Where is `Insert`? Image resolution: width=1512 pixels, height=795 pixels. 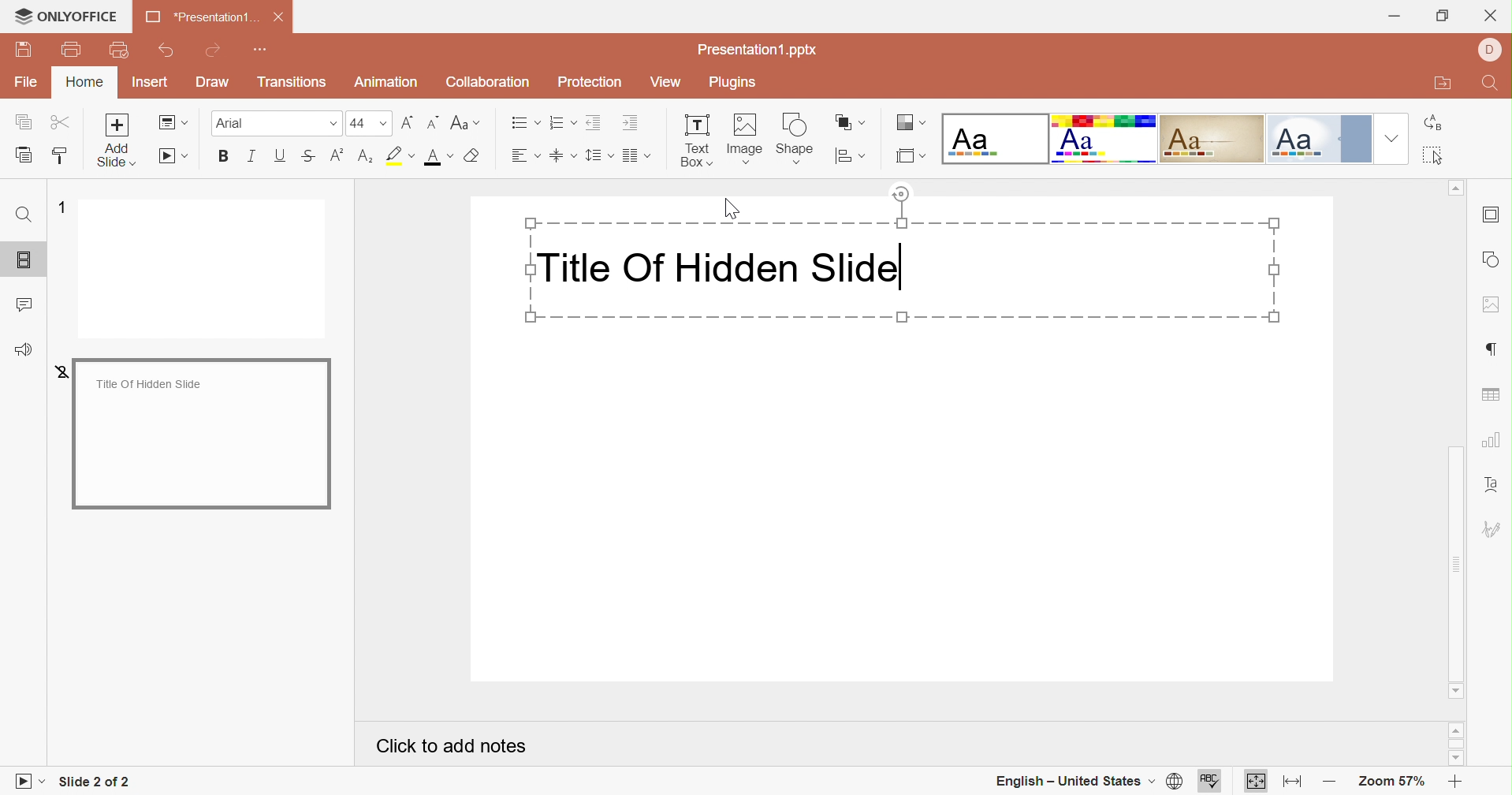 Insert is located at coordinates (151, 82).